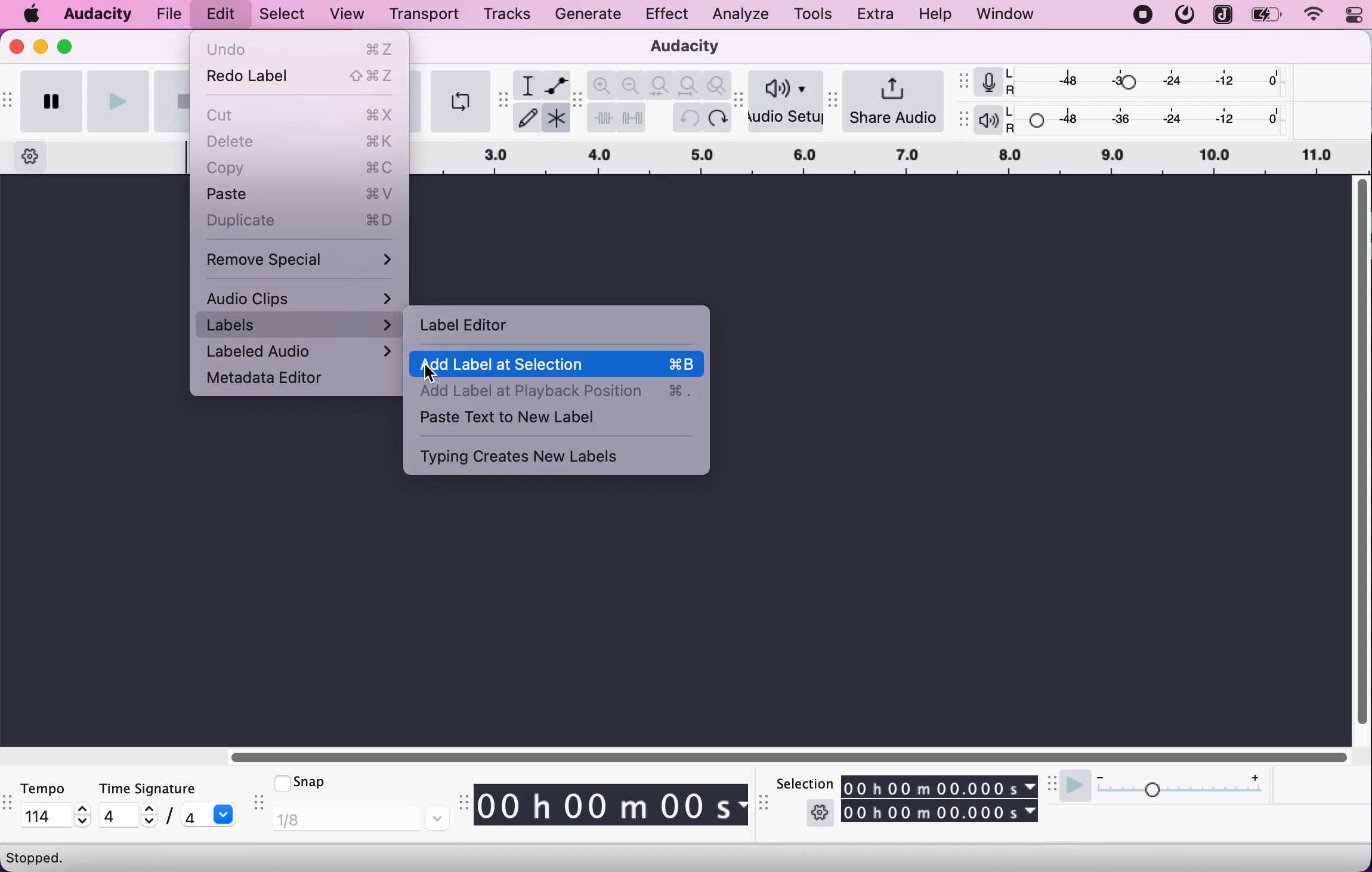 This screenshot has width=1372, height=872. What do you see at coordinates (787, 103) in the screenshot?
I see `audio setup` at bounding box center [787, 103].